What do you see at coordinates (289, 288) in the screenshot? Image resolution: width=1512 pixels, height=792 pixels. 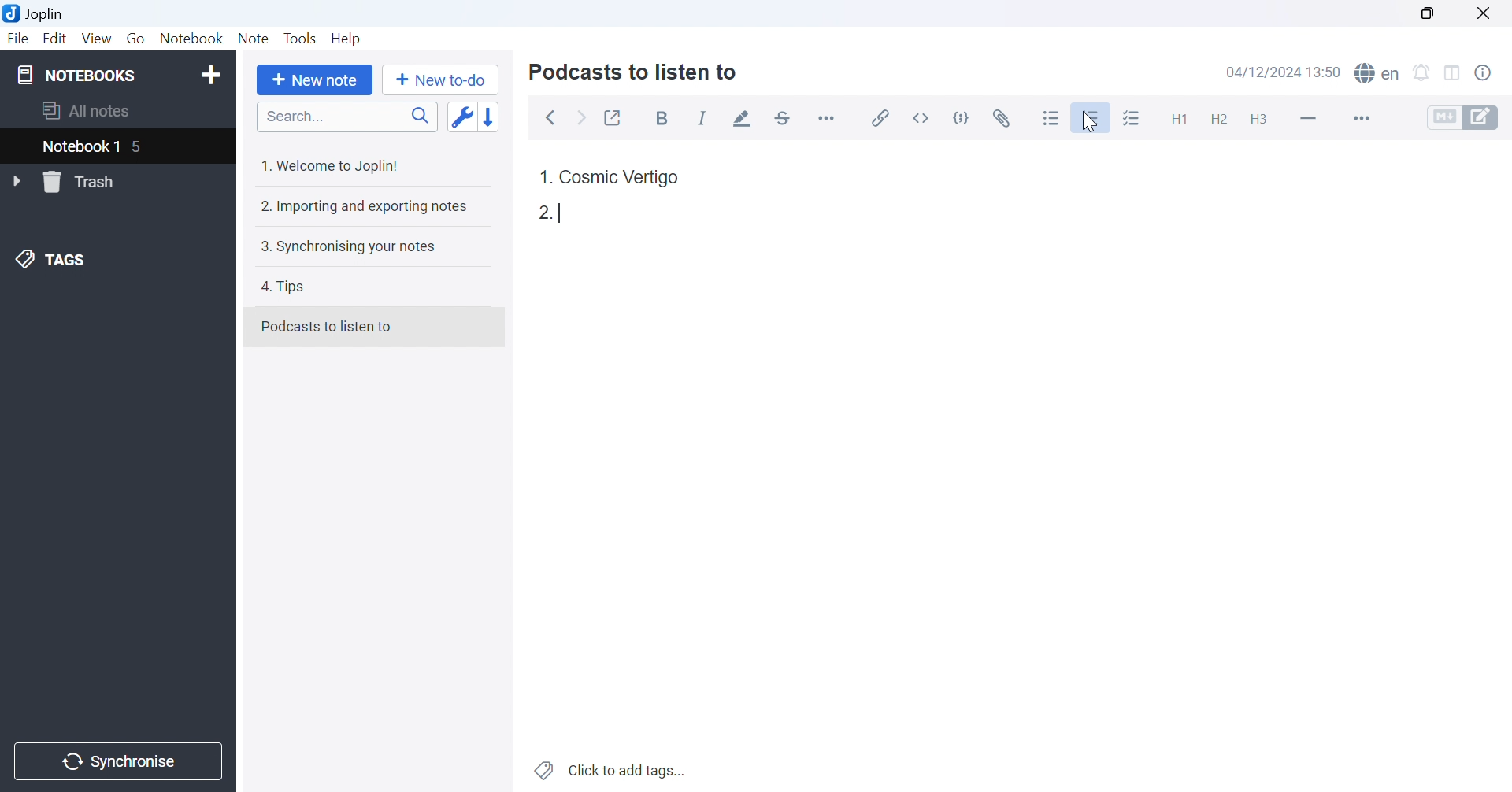 I see `4. Tips` at bounding box center [289, 288].